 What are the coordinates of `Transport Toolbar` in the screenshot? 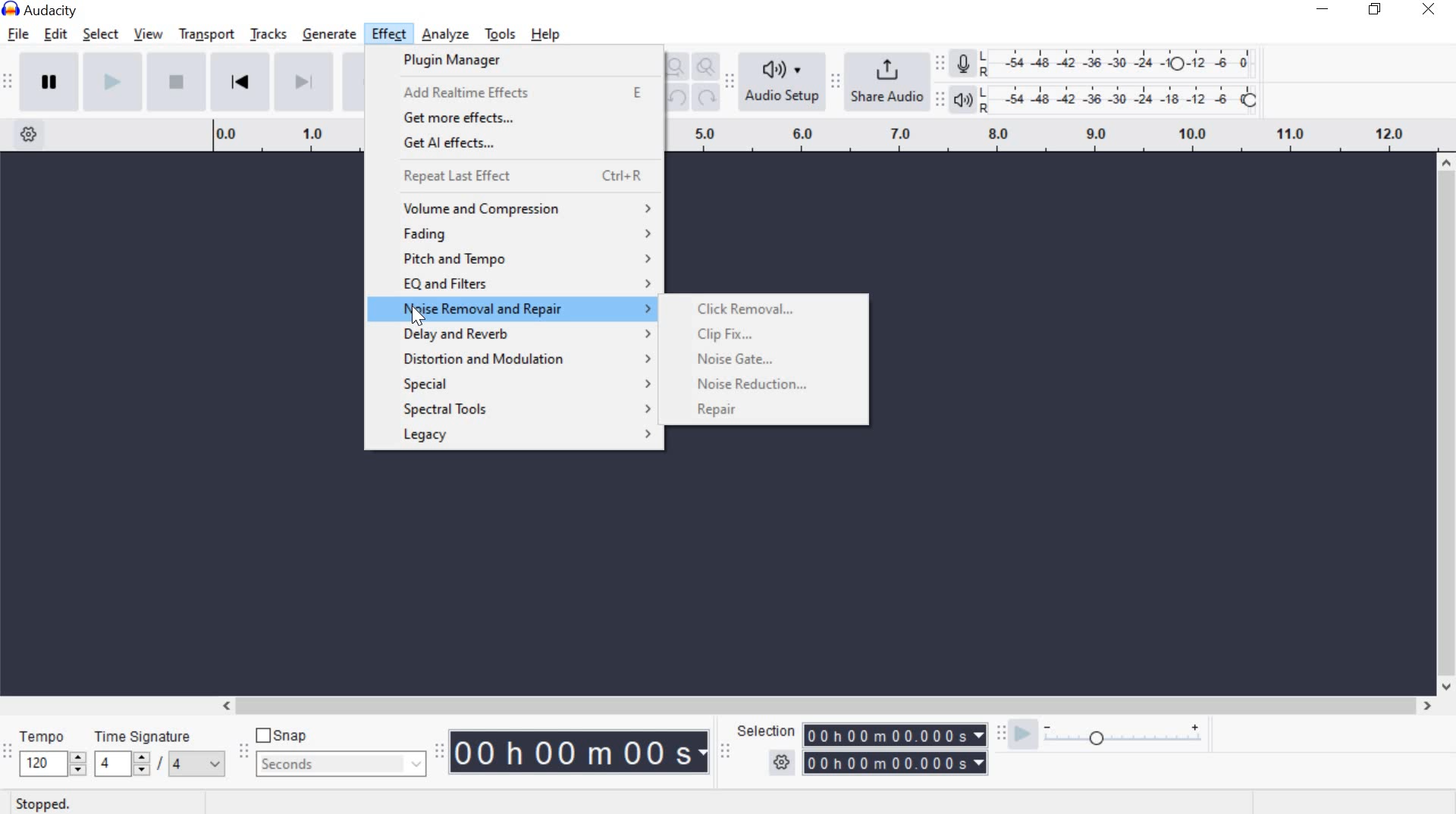 It's located at (9, 83).